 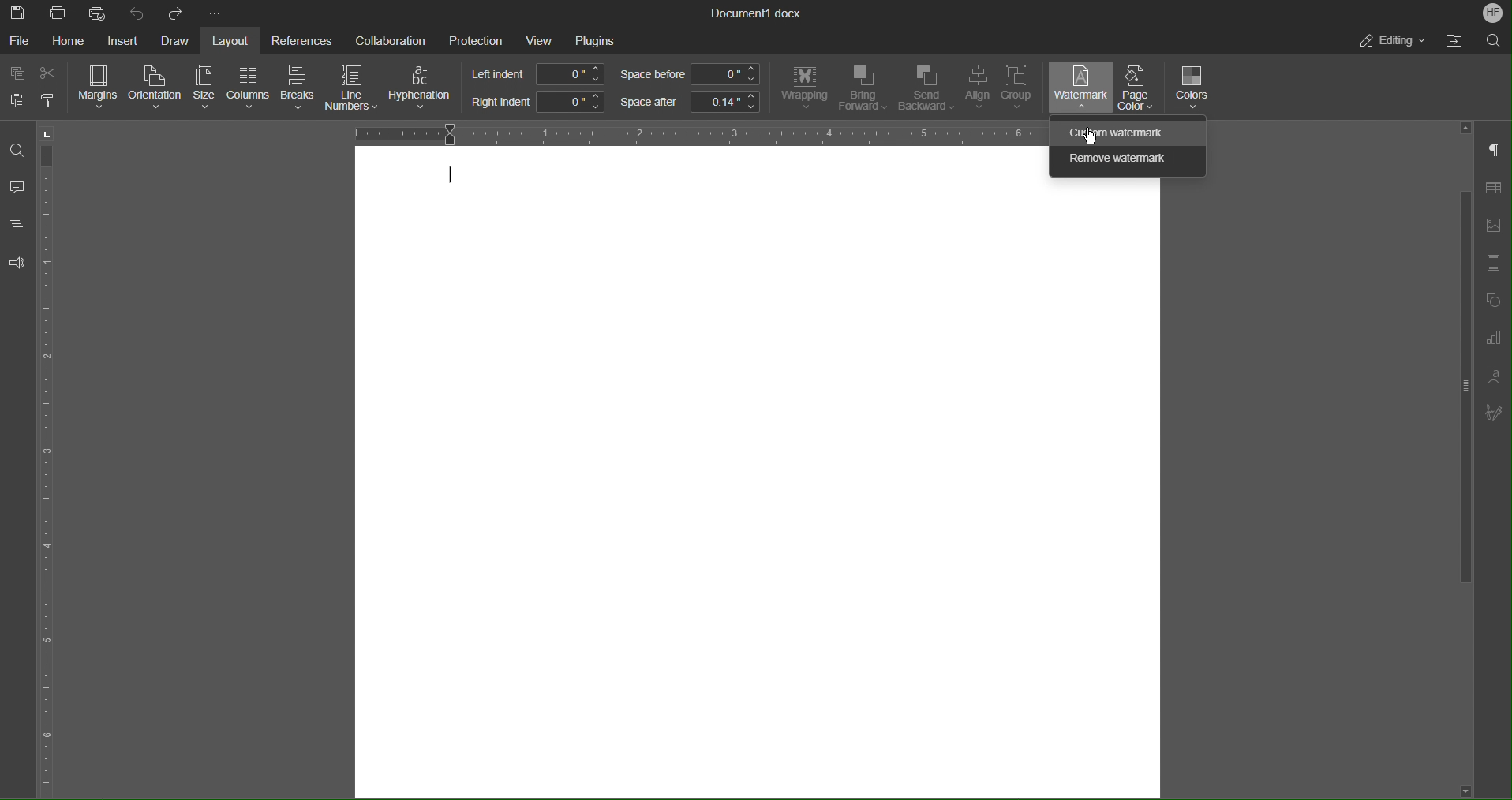 I want to click on Horizontal Ruler, so click(x=691, y=132).